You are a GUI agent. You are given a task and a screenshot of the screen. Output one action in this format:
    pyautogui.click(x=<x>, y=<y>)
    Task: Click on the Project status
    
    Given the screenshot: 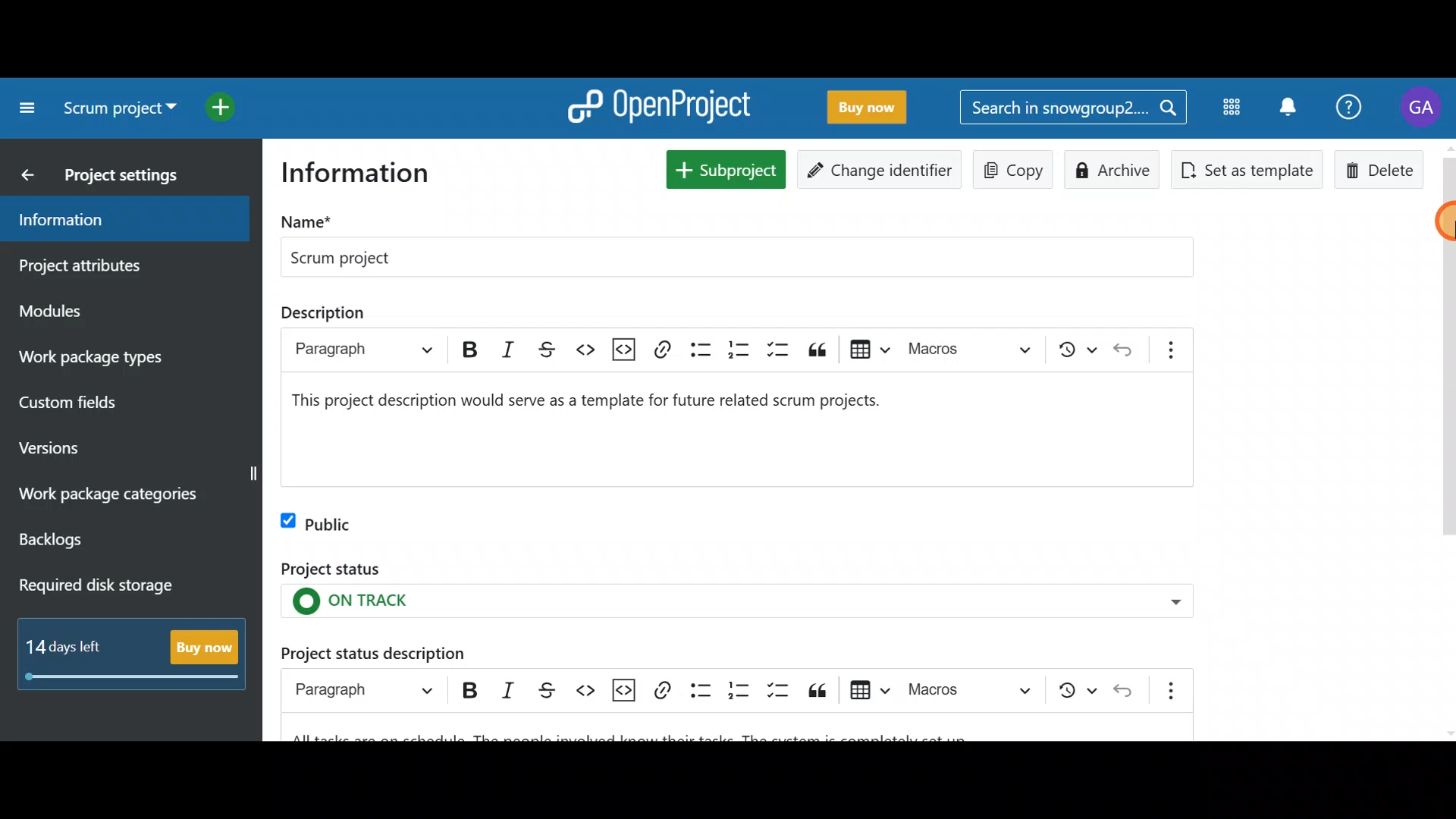 What is the action you would take?
    pyautogui.click(x=732, y=592)
    